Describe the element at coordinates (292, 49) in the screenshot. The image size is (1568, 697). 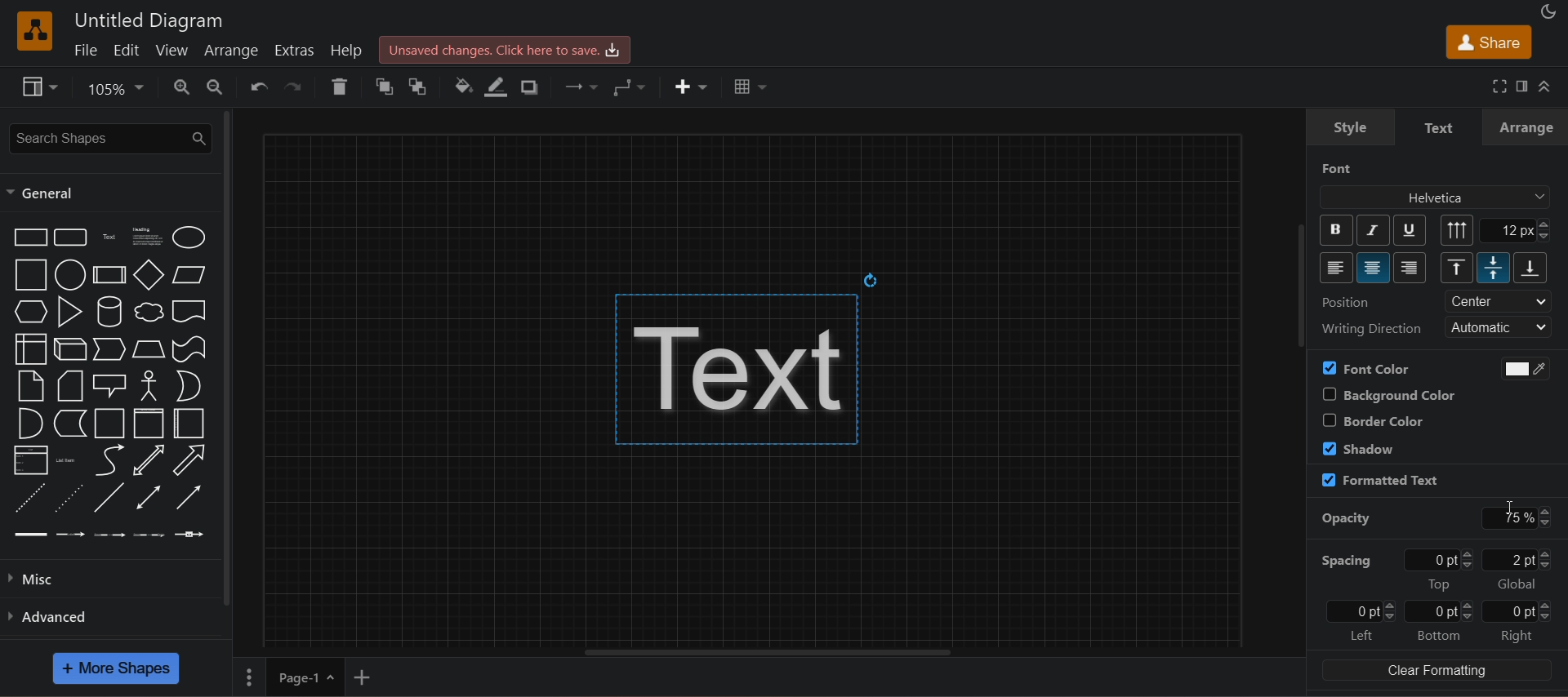
I see `extras` at that location.